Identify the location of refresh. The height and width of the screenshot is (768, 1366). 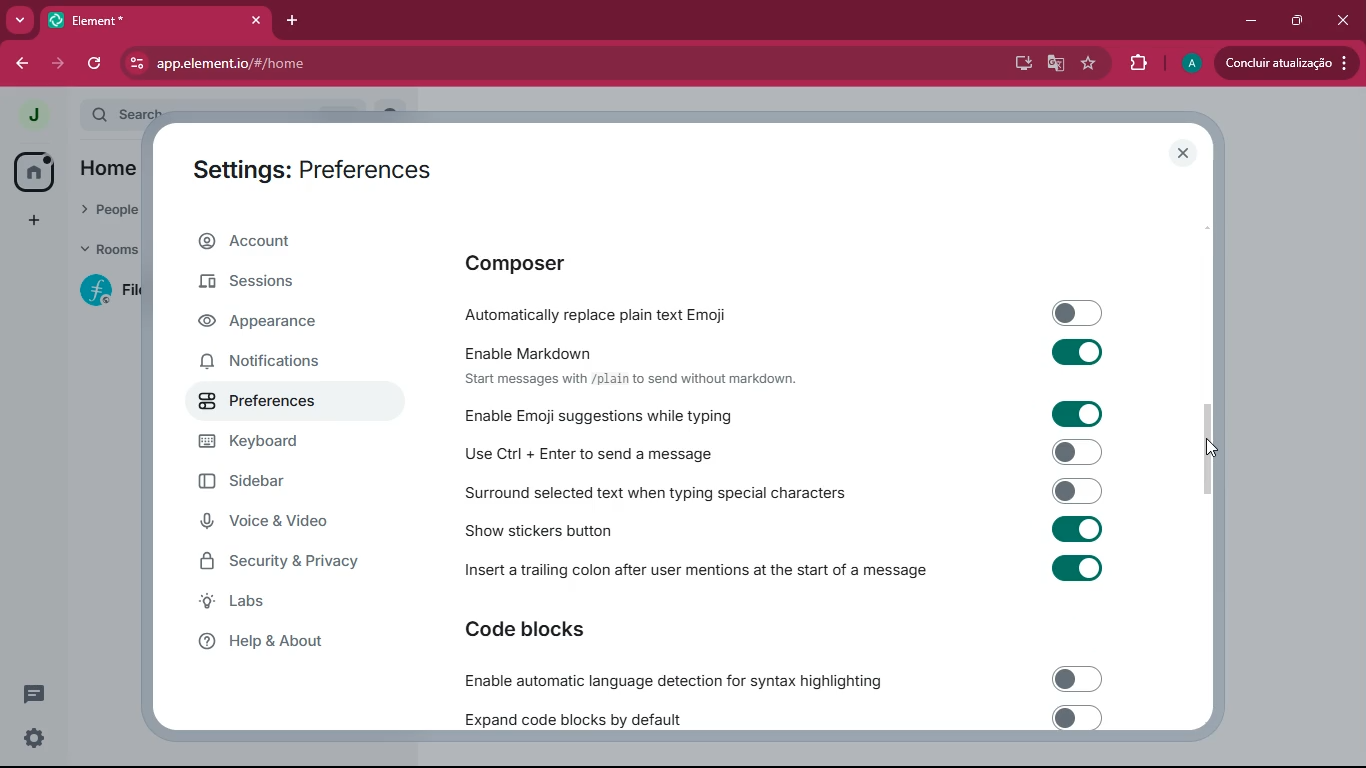
(97, 64).